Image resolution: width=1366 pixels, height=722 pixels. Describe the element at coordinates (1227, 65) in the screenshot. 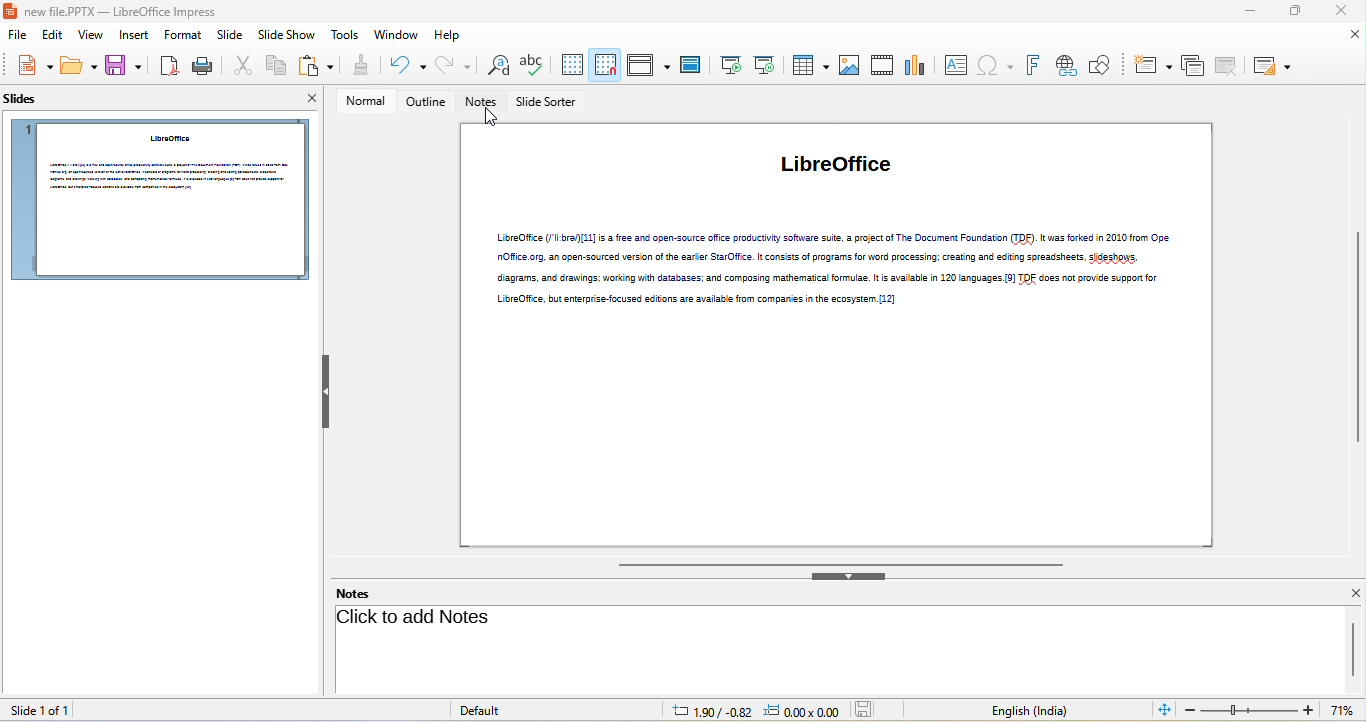

I see `delete slide` at that location.